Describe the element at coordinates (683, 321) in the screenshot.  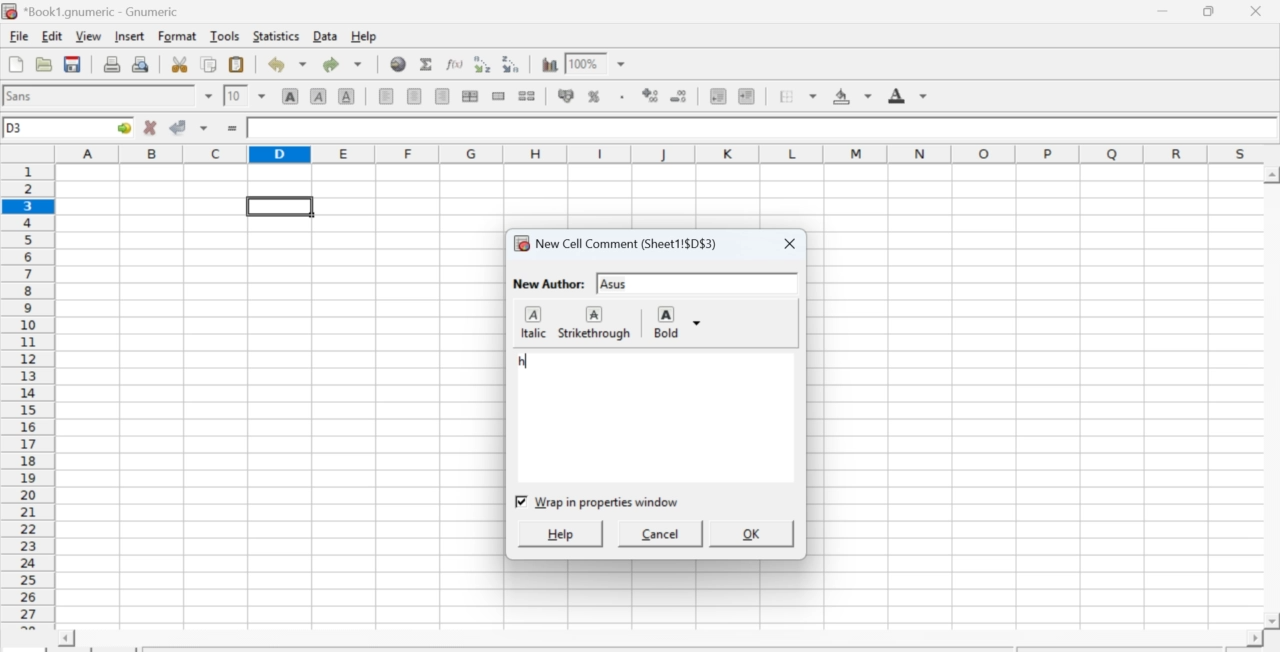
I see `Bold` at that location.